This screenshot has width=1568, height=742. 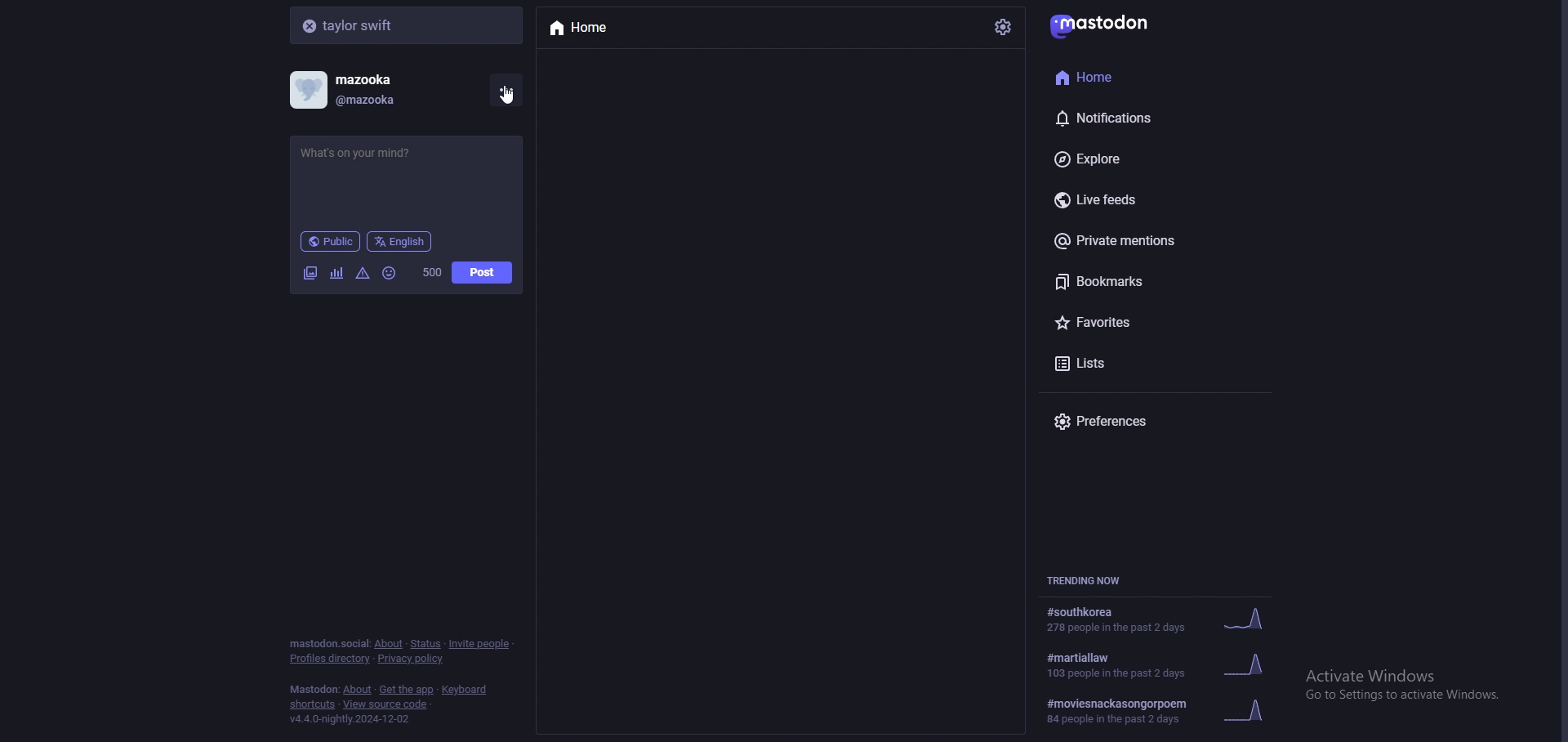 I want to click on version, so click(x=351, y=718).